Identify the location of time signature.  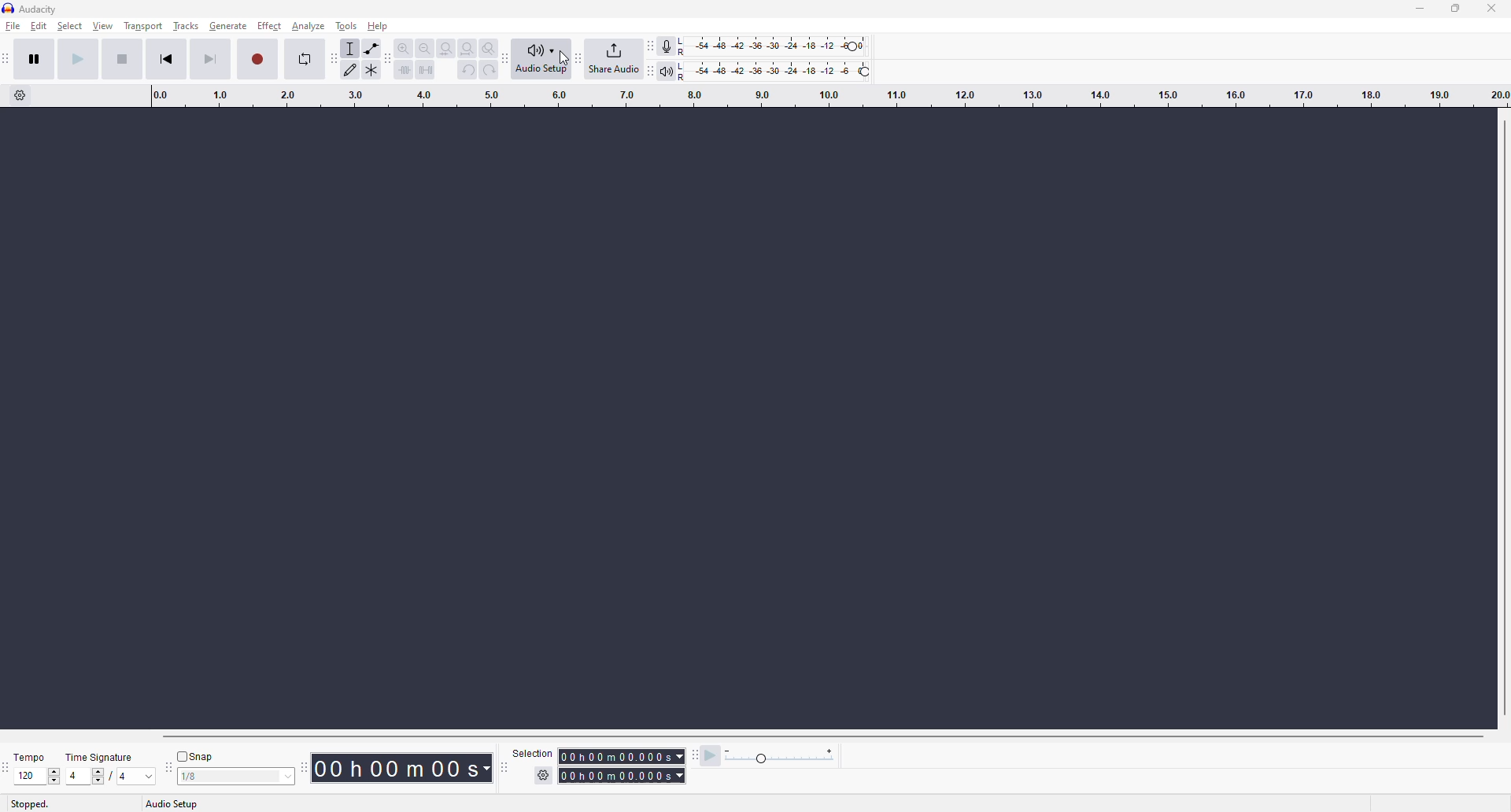
(98, 755).